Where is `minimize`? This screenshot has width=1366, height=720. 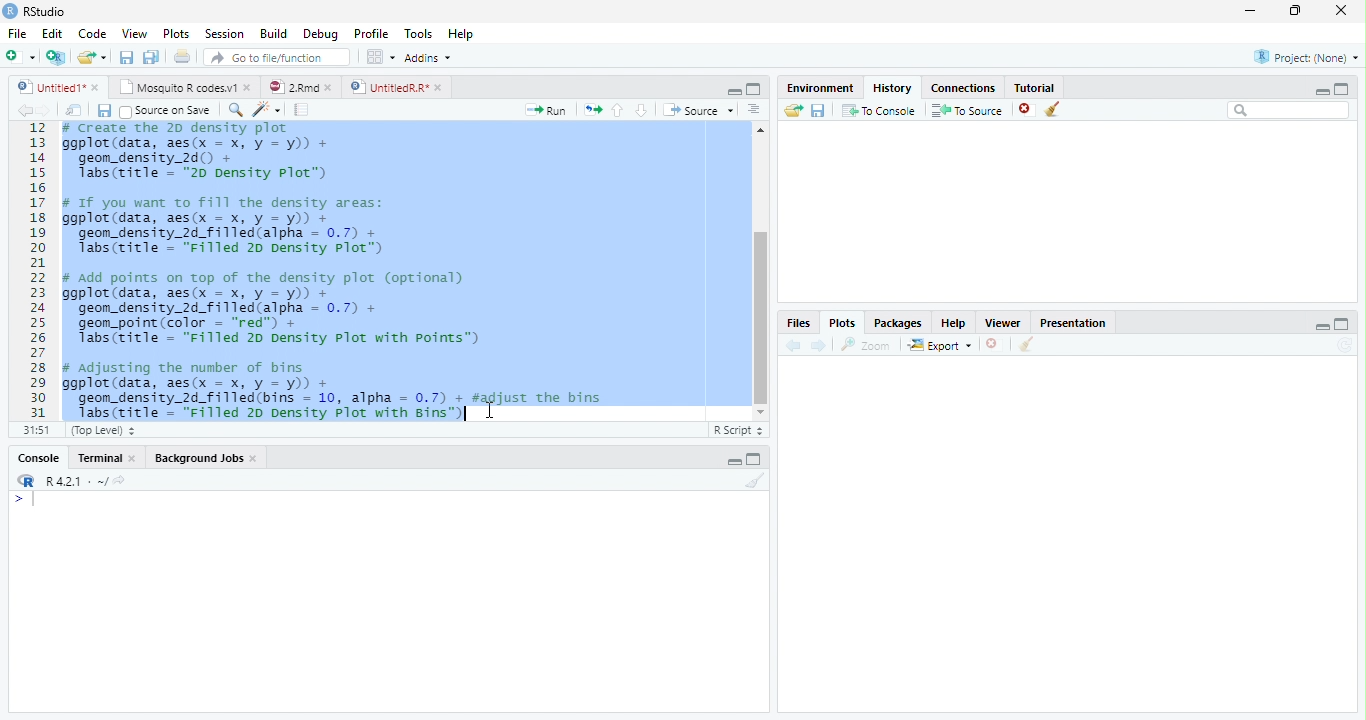
minimize is located at coordinates (1249, 12).